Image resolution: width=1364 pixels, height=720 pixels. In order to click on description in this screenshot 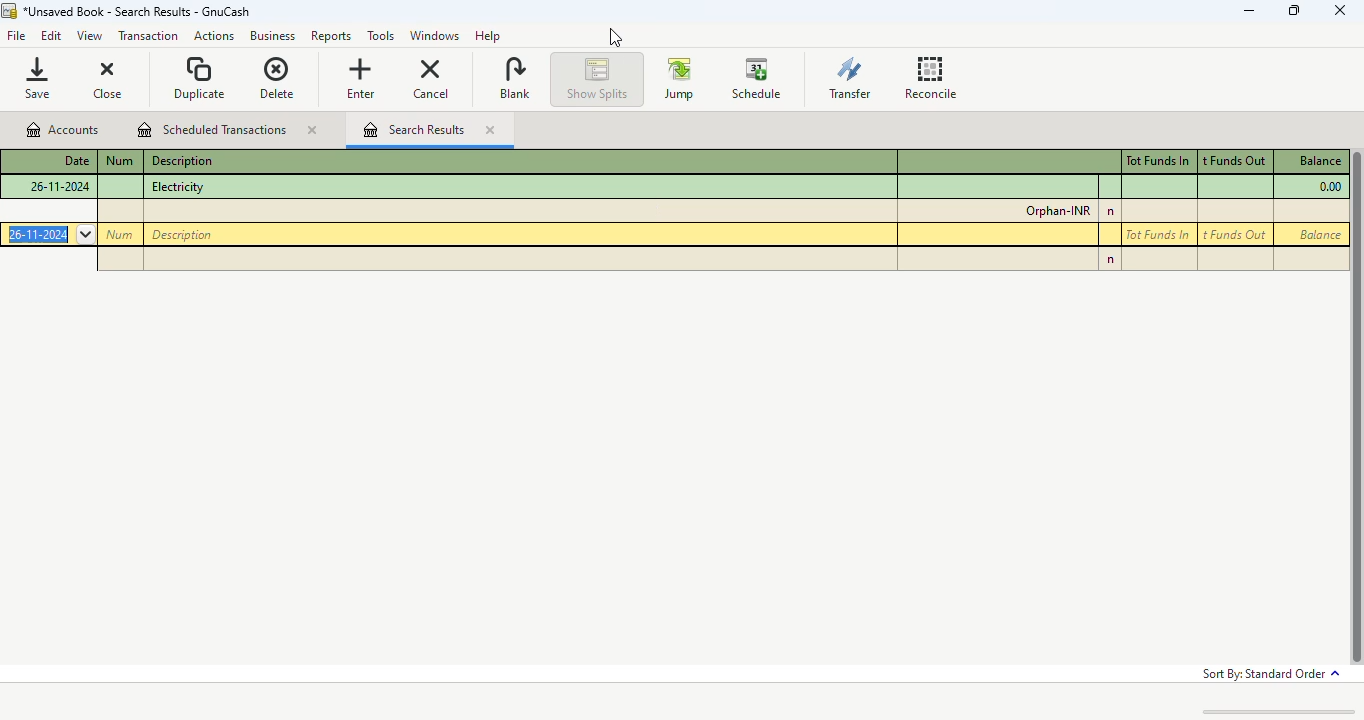, I will do `click(181, 234)`.